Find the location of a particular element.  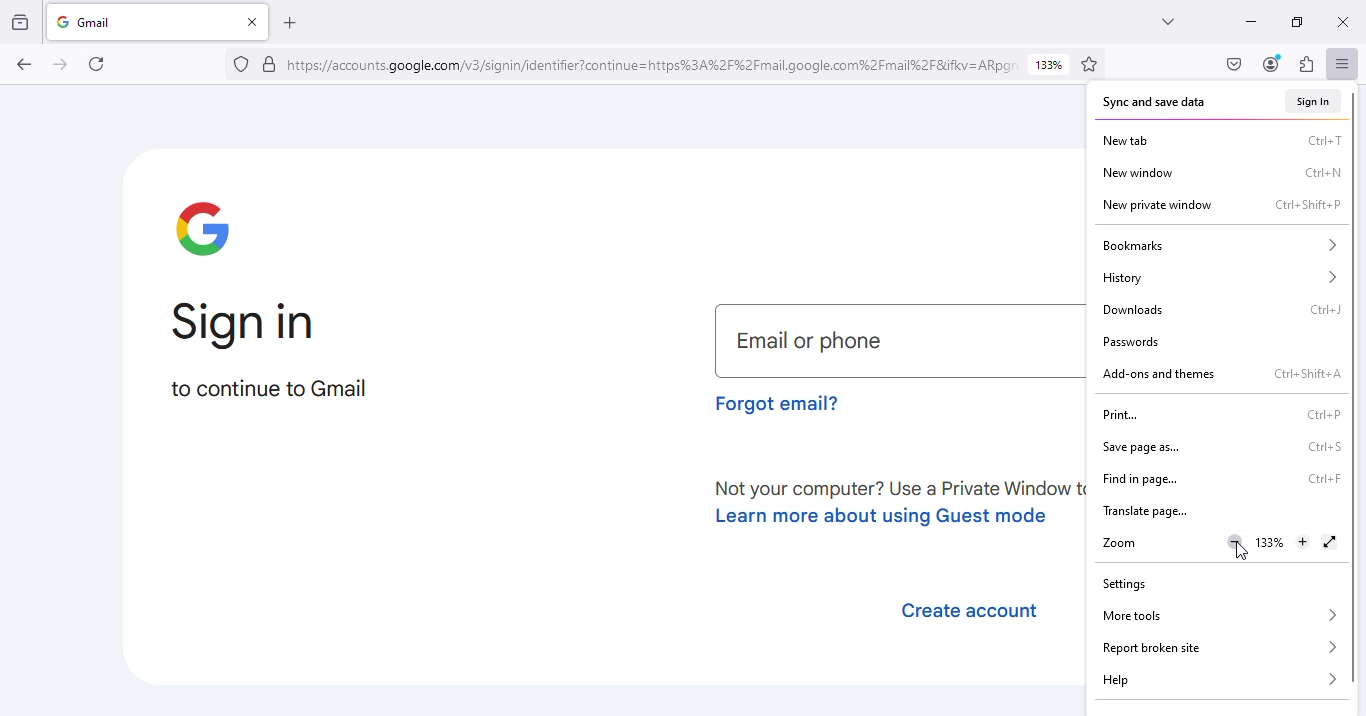

go back one page is located at coordinates (25, 64).